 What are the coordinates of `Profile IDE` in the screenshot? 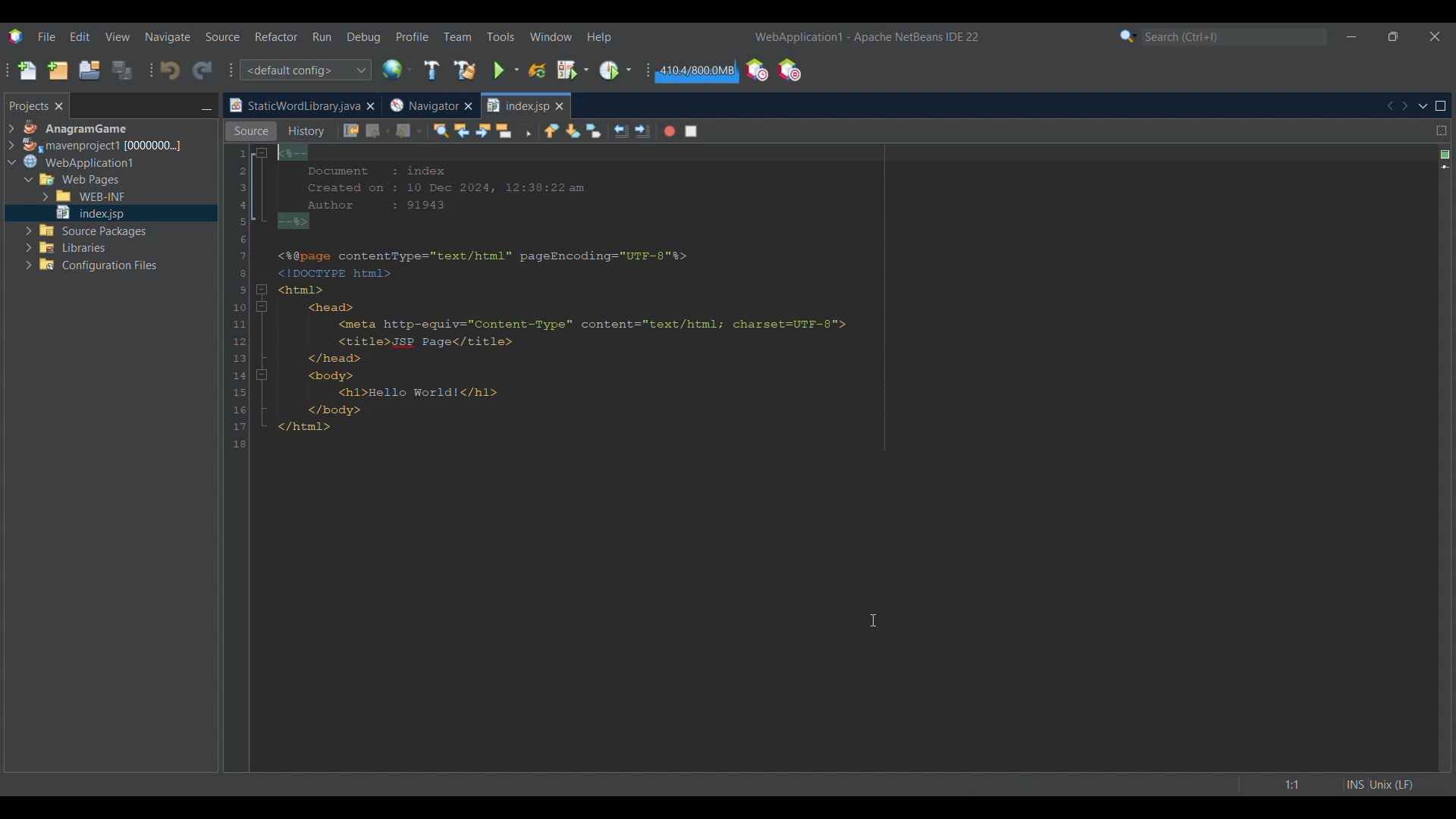 It's located at (756, 71).